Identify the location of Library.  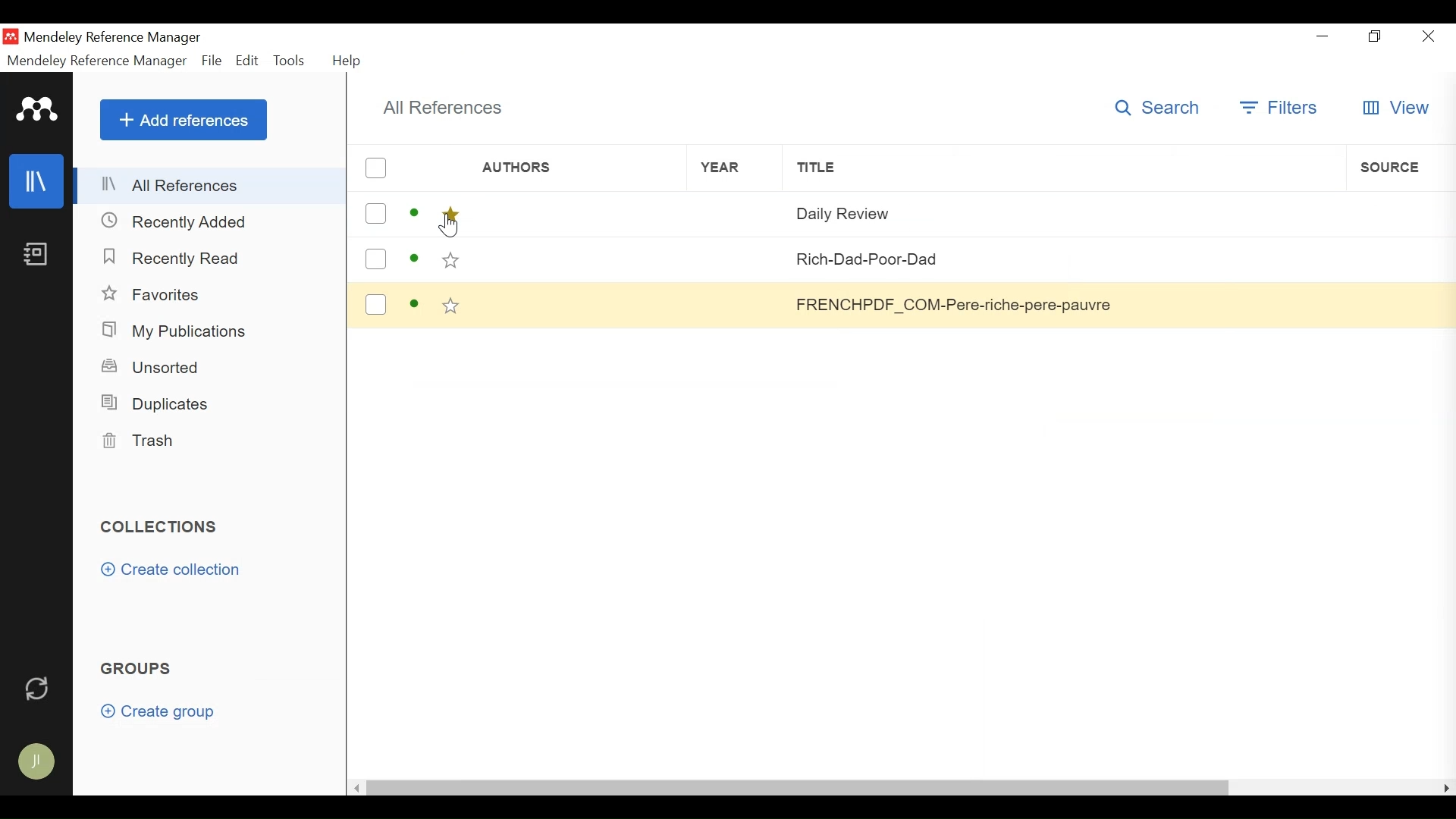
(37, 181).